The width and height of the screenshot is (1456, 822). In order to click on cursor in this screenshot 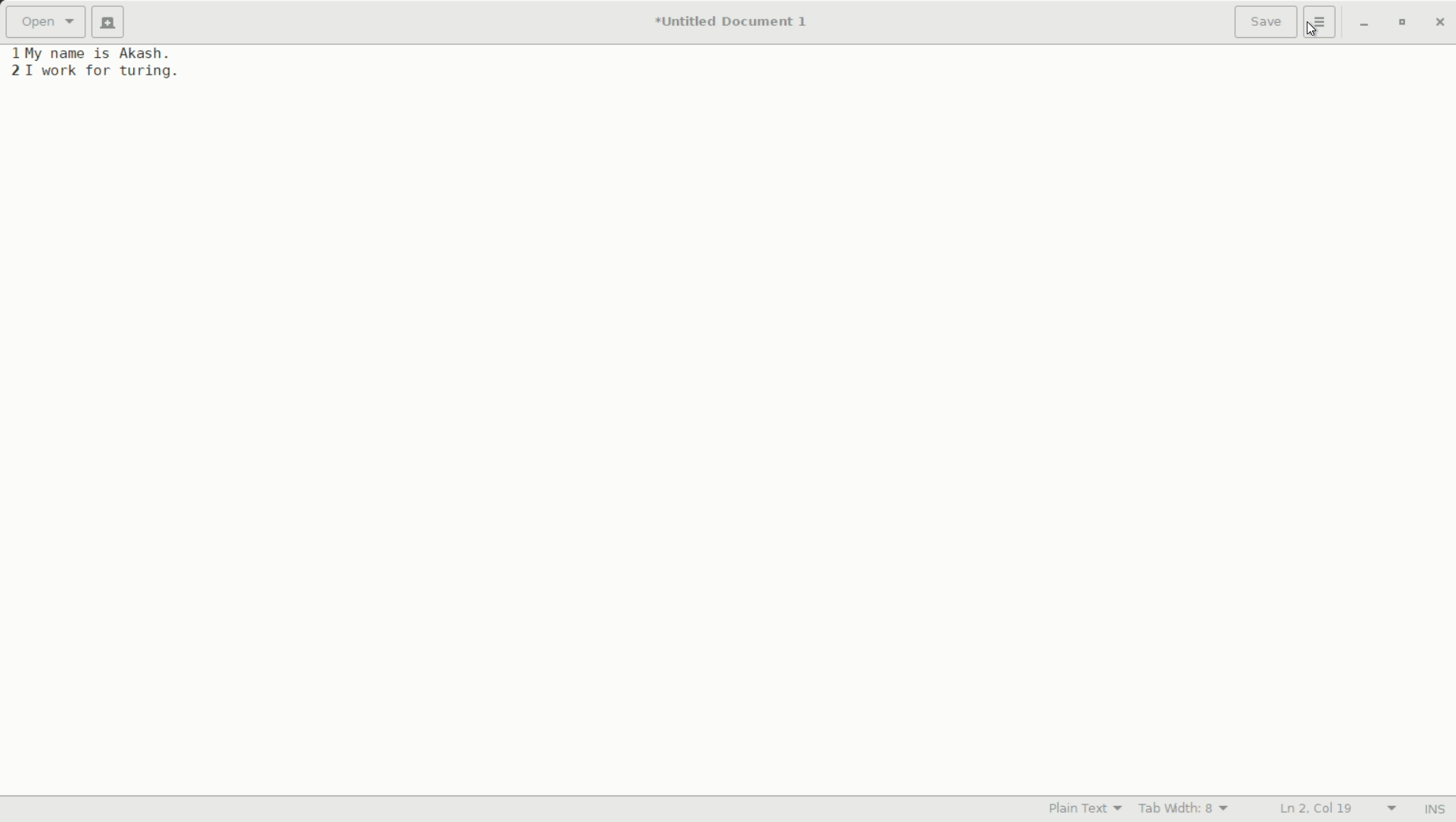, I will do `click(1314, 30)`.